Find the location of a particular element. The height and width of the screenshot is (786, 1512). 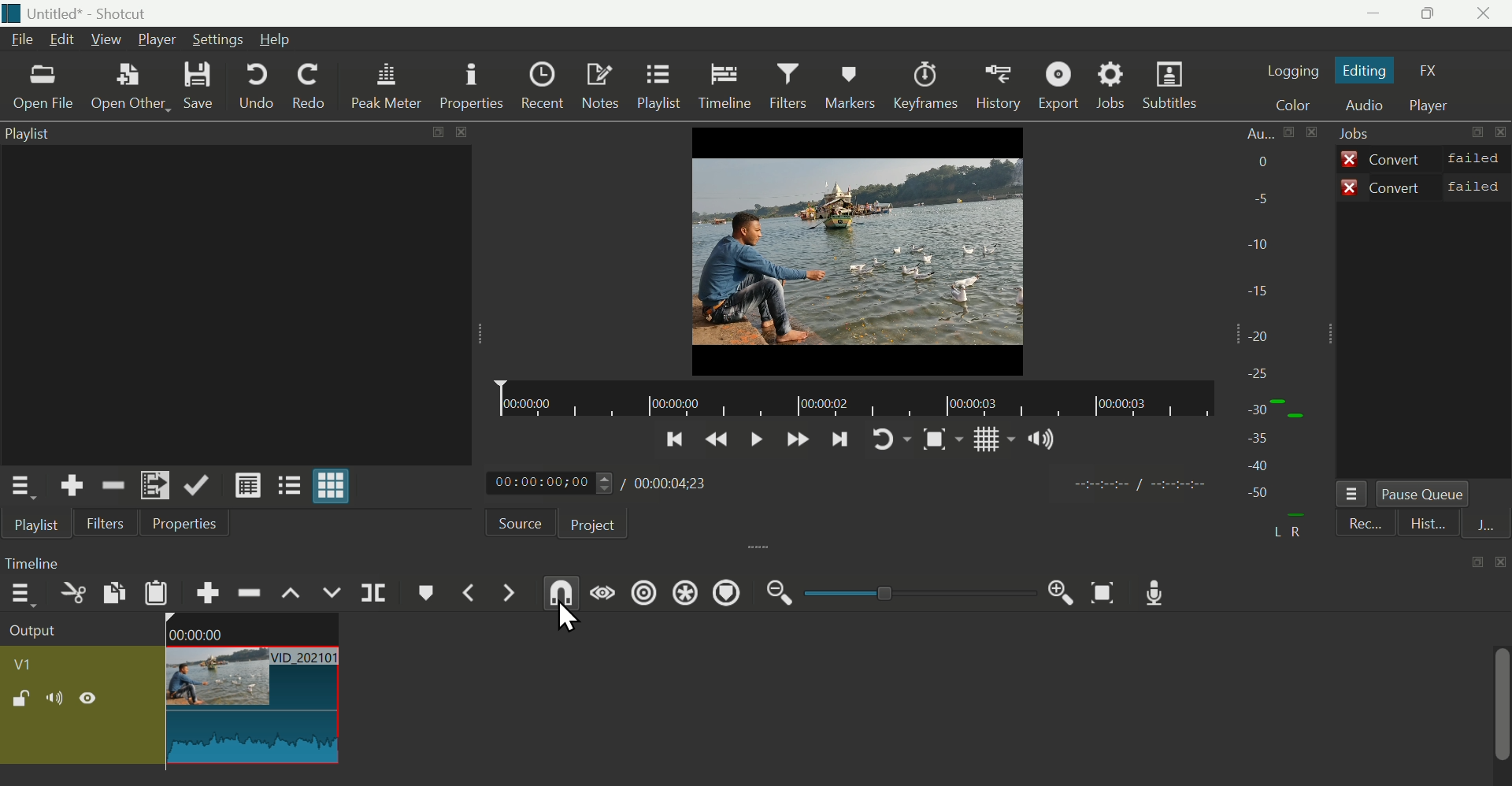

FX is located at coordinates (1434, 71).